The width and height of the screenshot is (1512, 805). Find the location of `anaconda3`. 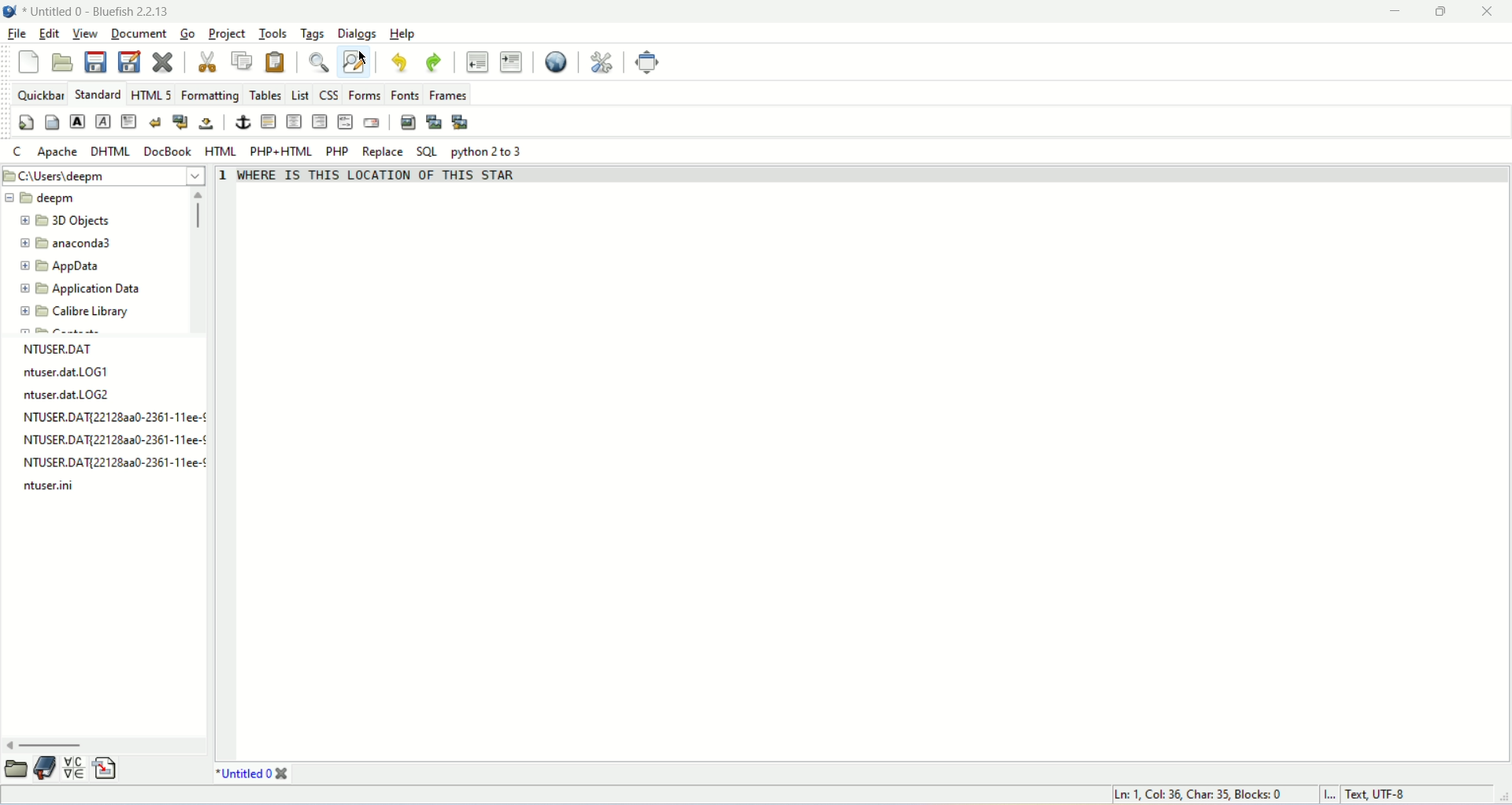

anaconda3 is located at coordinates (67, 244).